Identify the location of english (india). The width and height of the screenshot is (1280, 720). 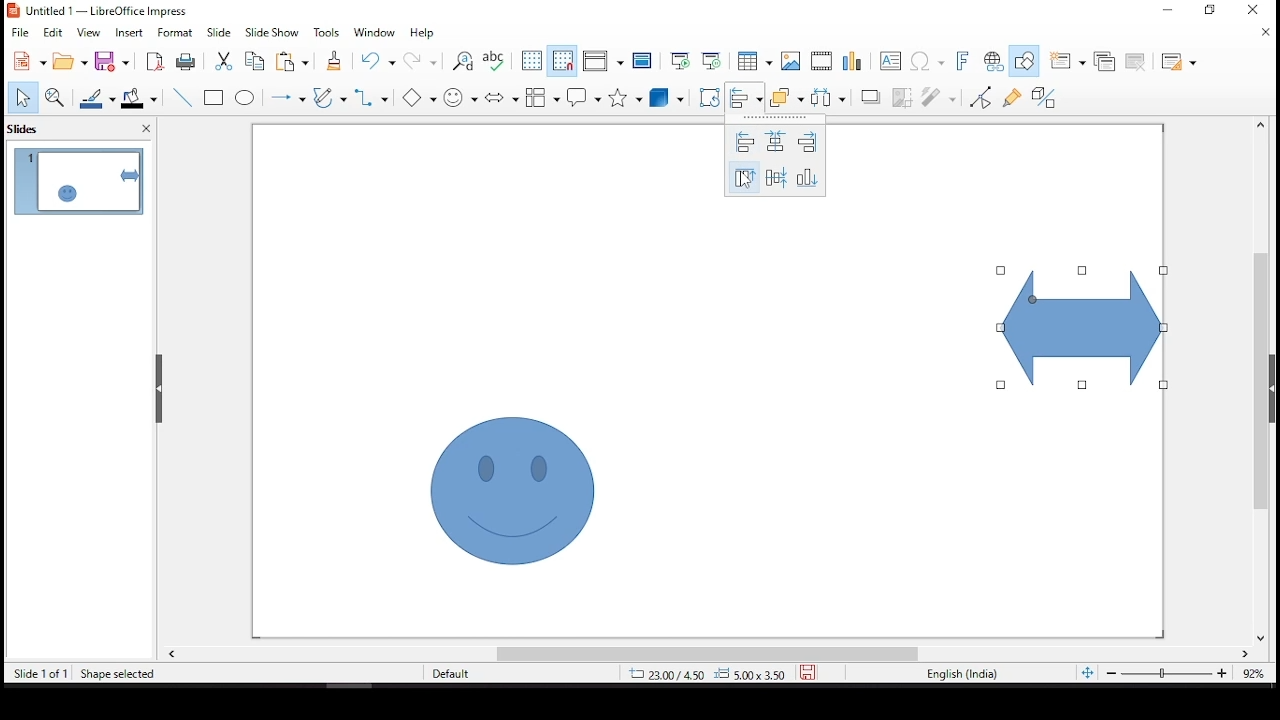
(962, 675).